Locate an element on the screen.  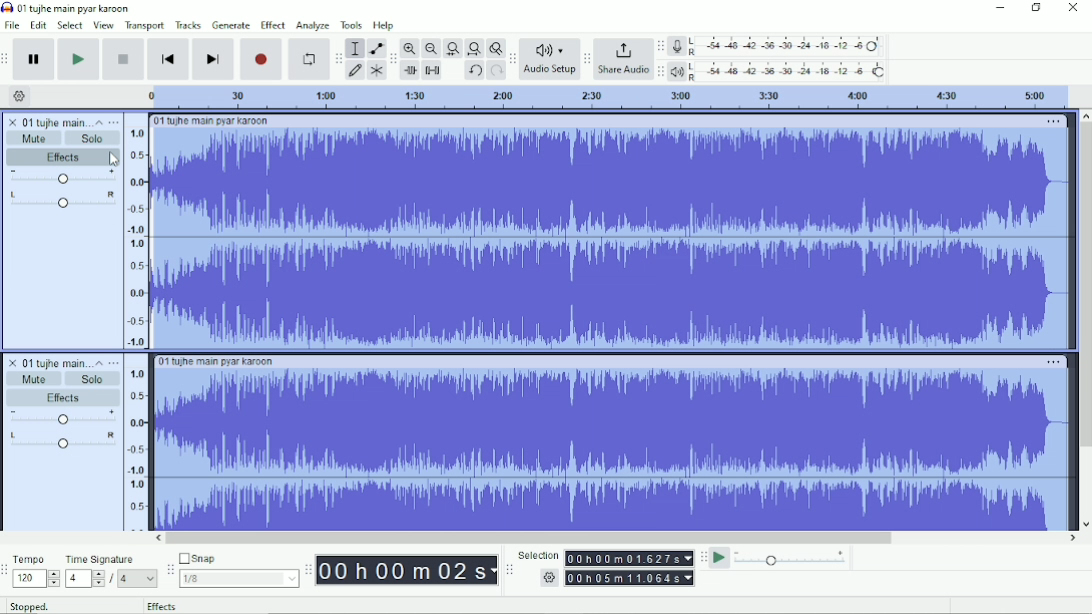
Tools is located at coordinates (351, 25).